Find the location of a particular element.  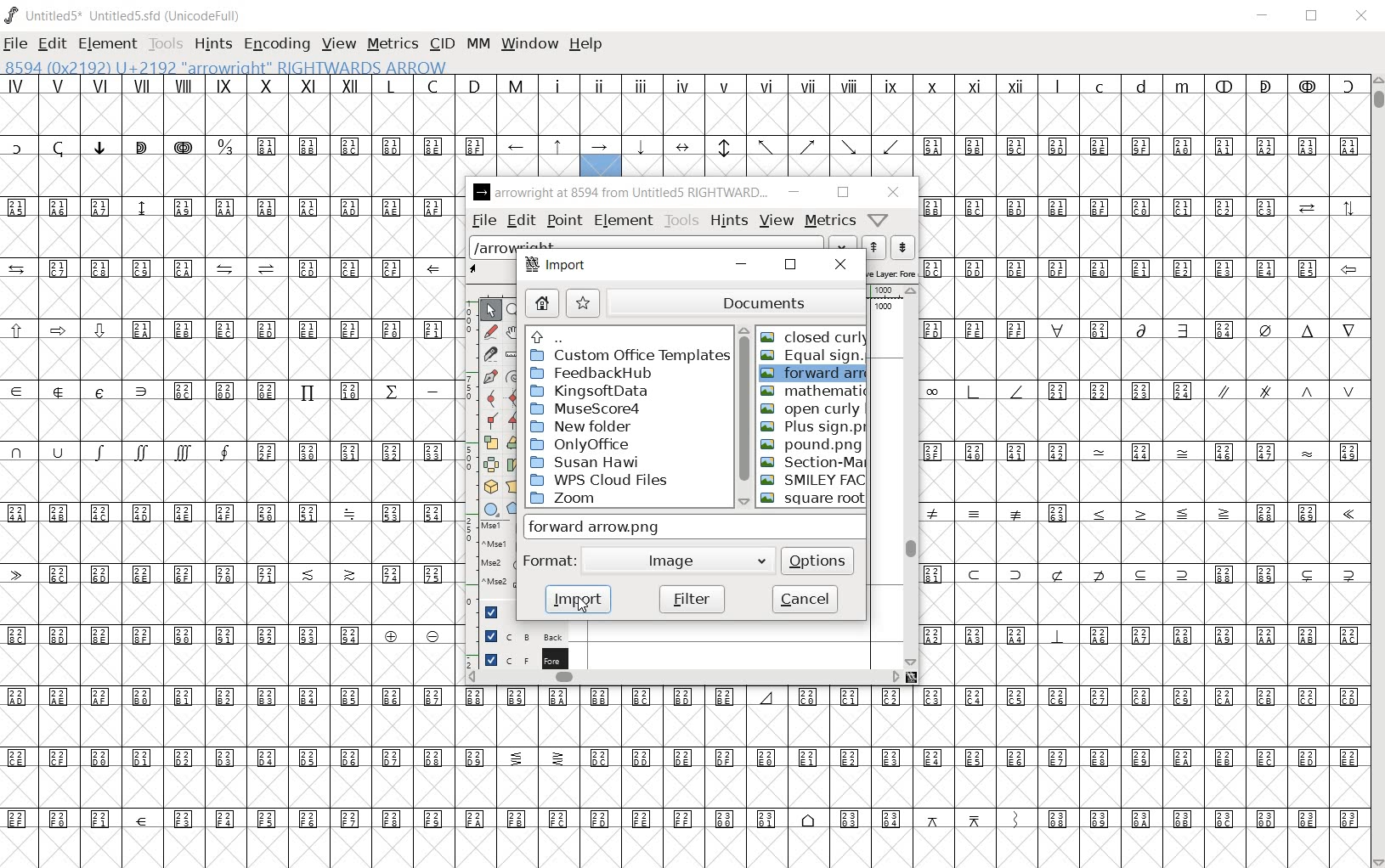

CID is located at coordinates (442, 44).